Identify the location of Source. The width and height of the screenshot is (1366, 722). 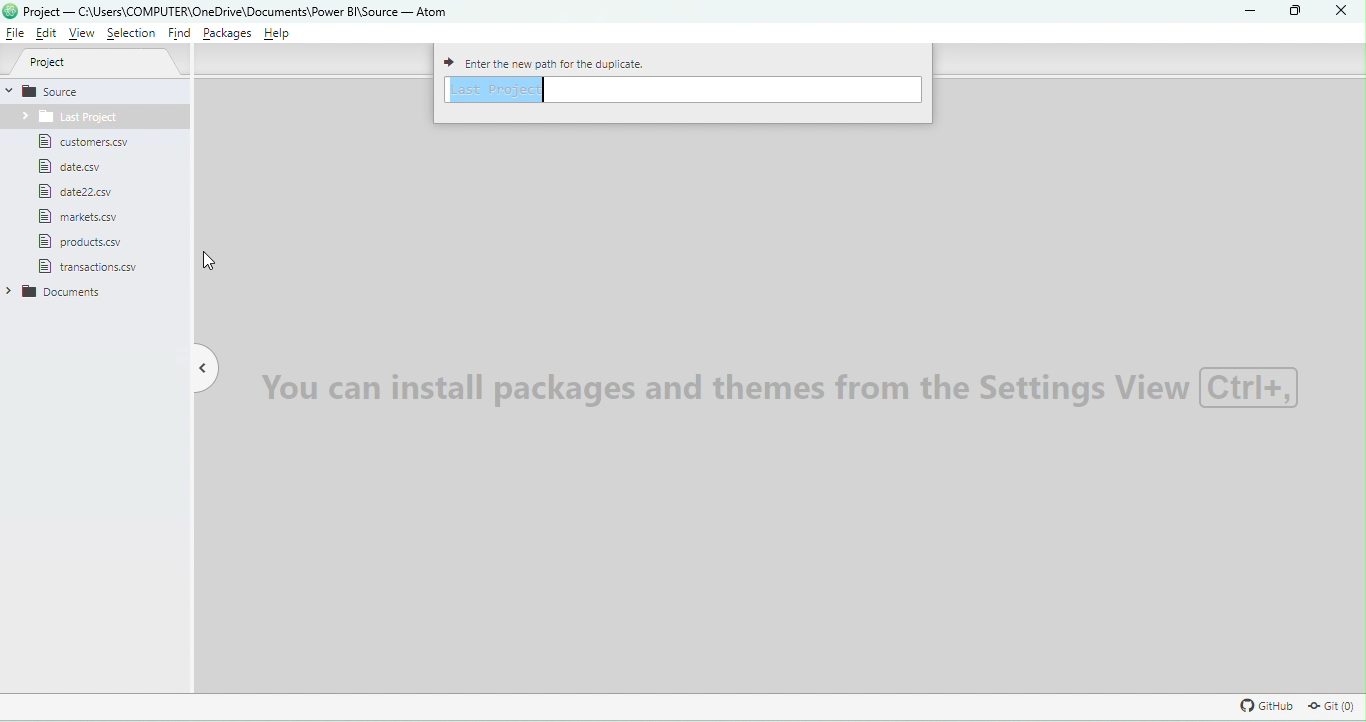
(98, 91).